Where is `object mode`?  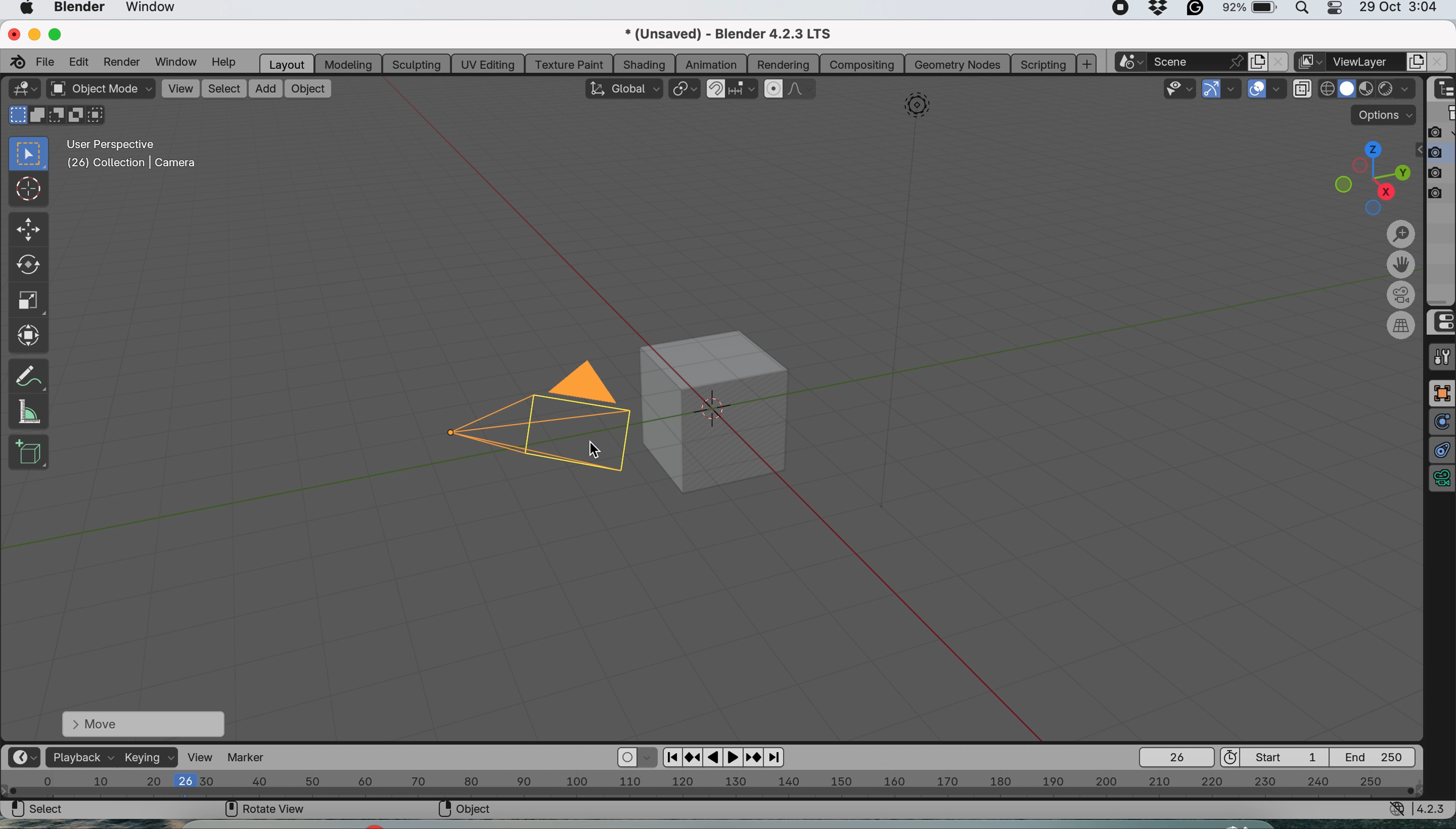 object mode is located at coordinates (100, 90).